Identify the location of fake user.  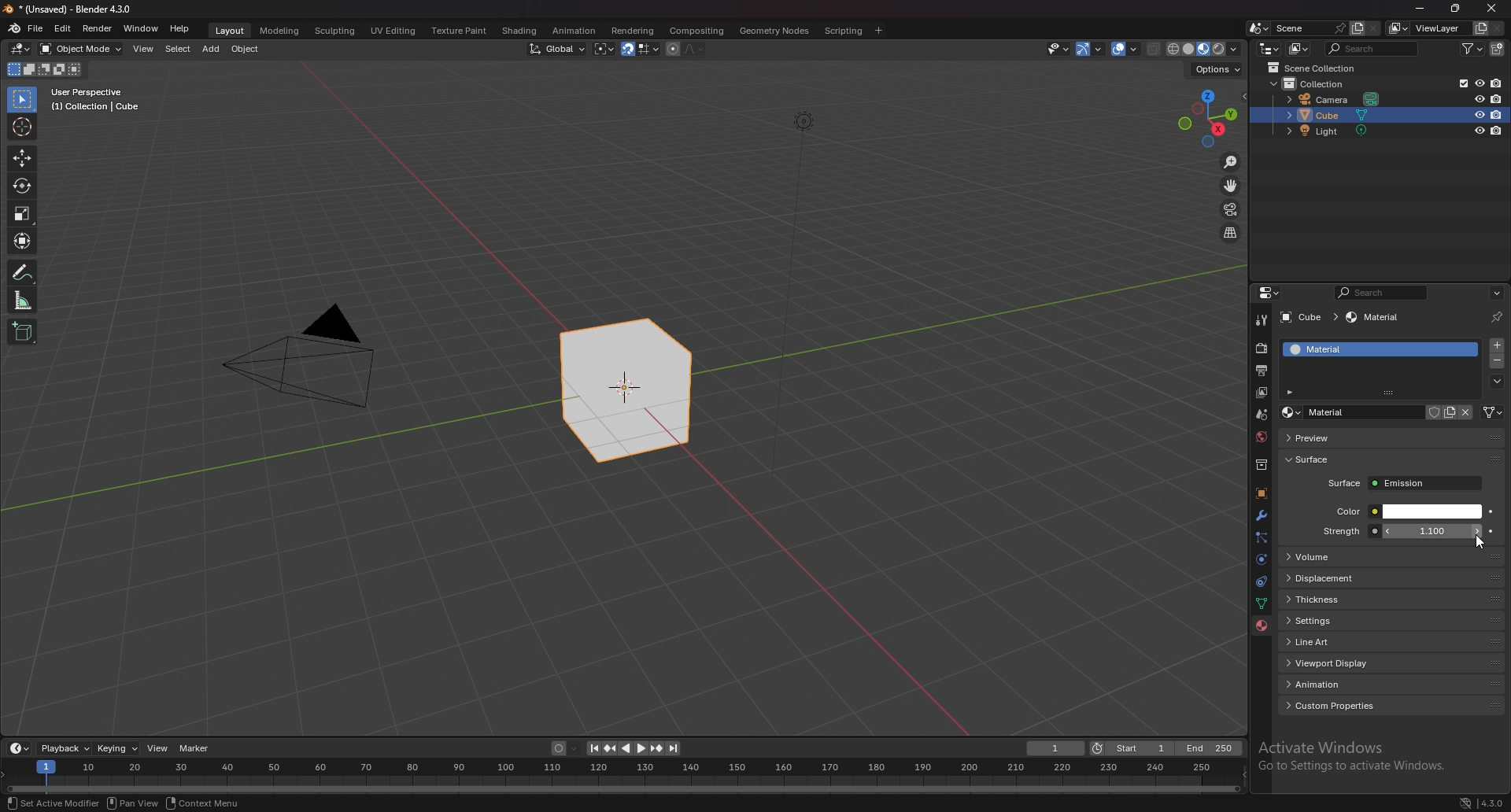
(1431, 412).